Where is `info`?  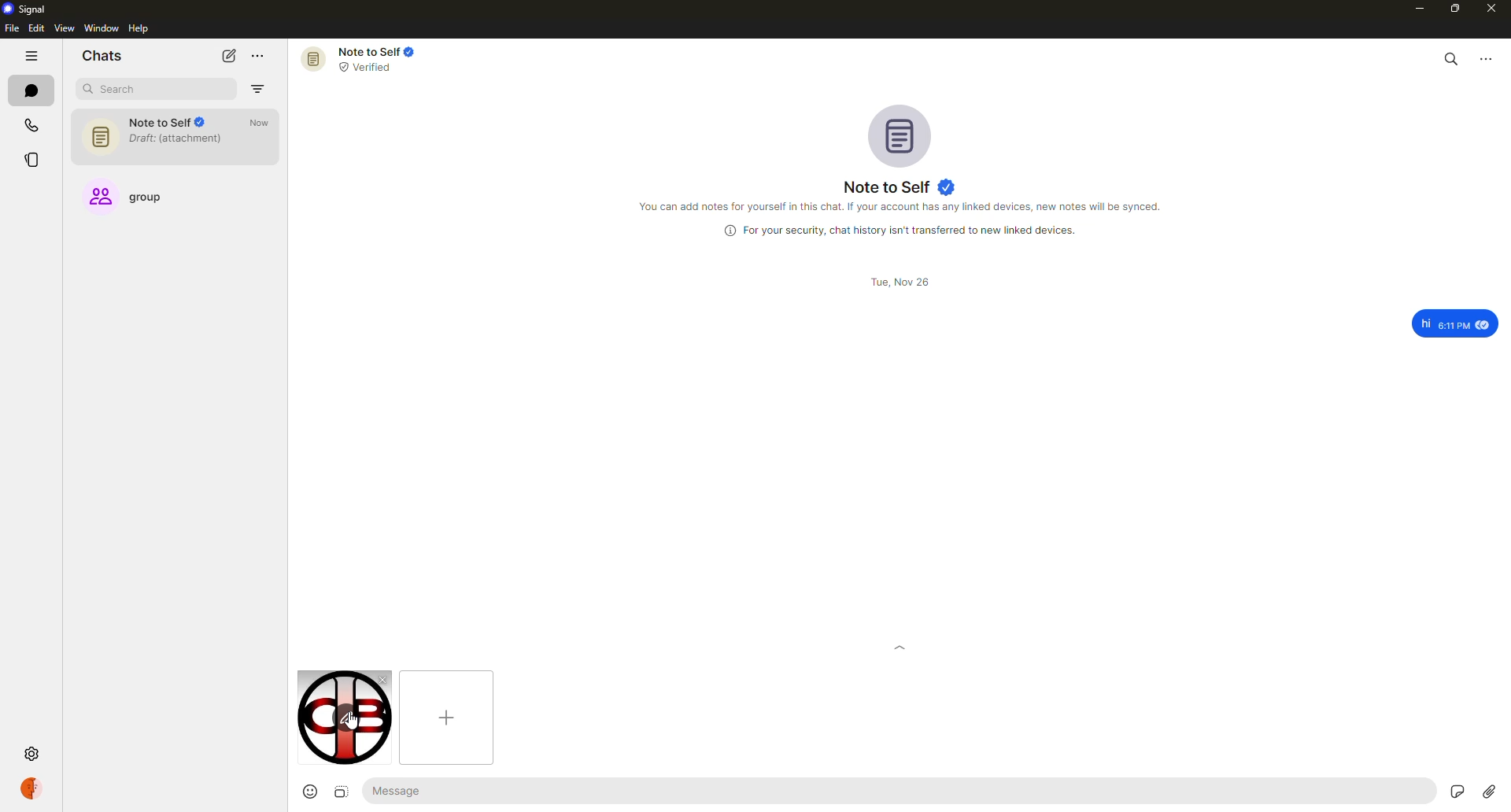
info is located at coordinates (897, 231).